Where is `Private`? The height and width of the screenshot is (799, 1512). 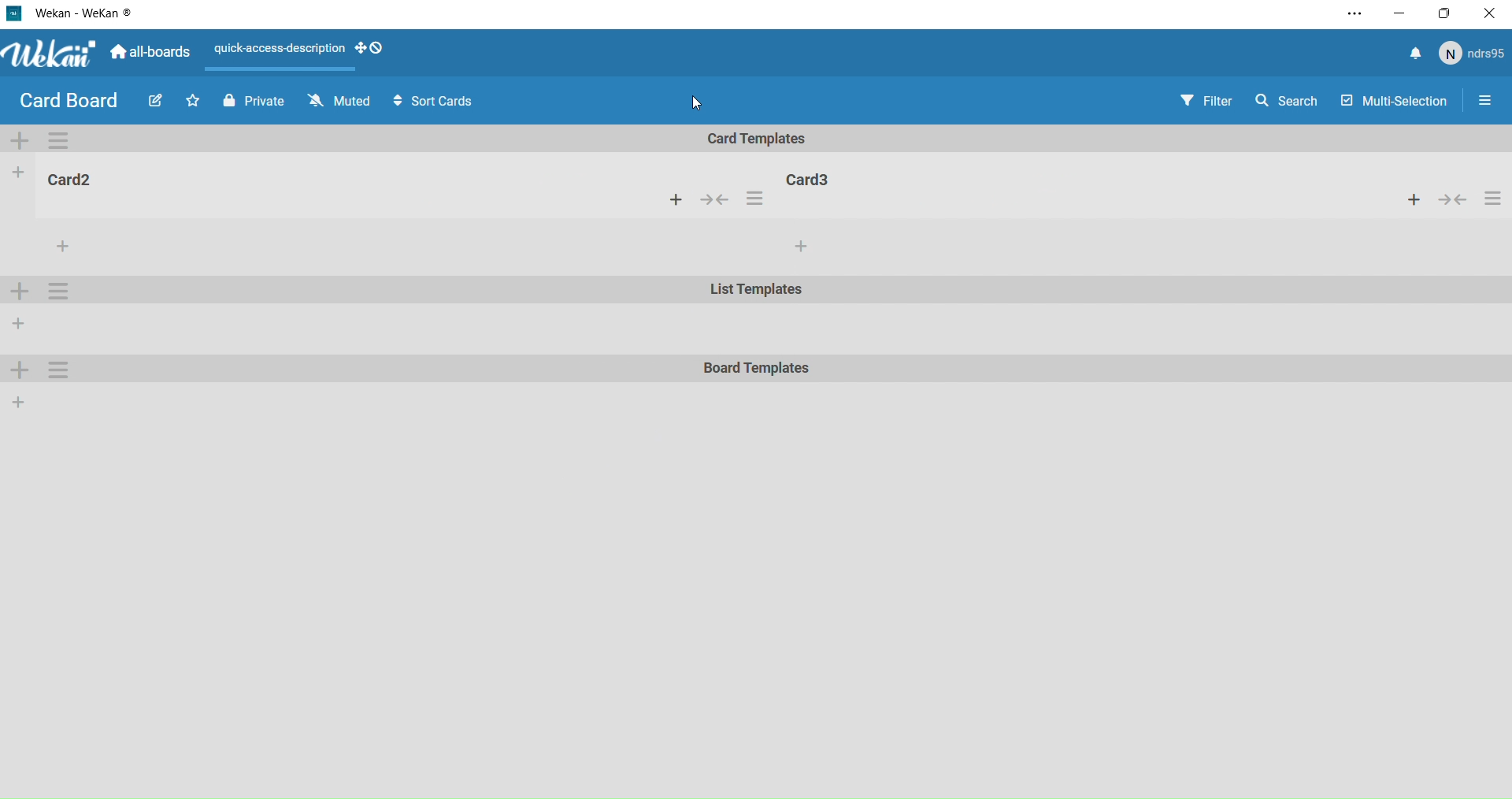
Private is located at coordinates (251, 102).